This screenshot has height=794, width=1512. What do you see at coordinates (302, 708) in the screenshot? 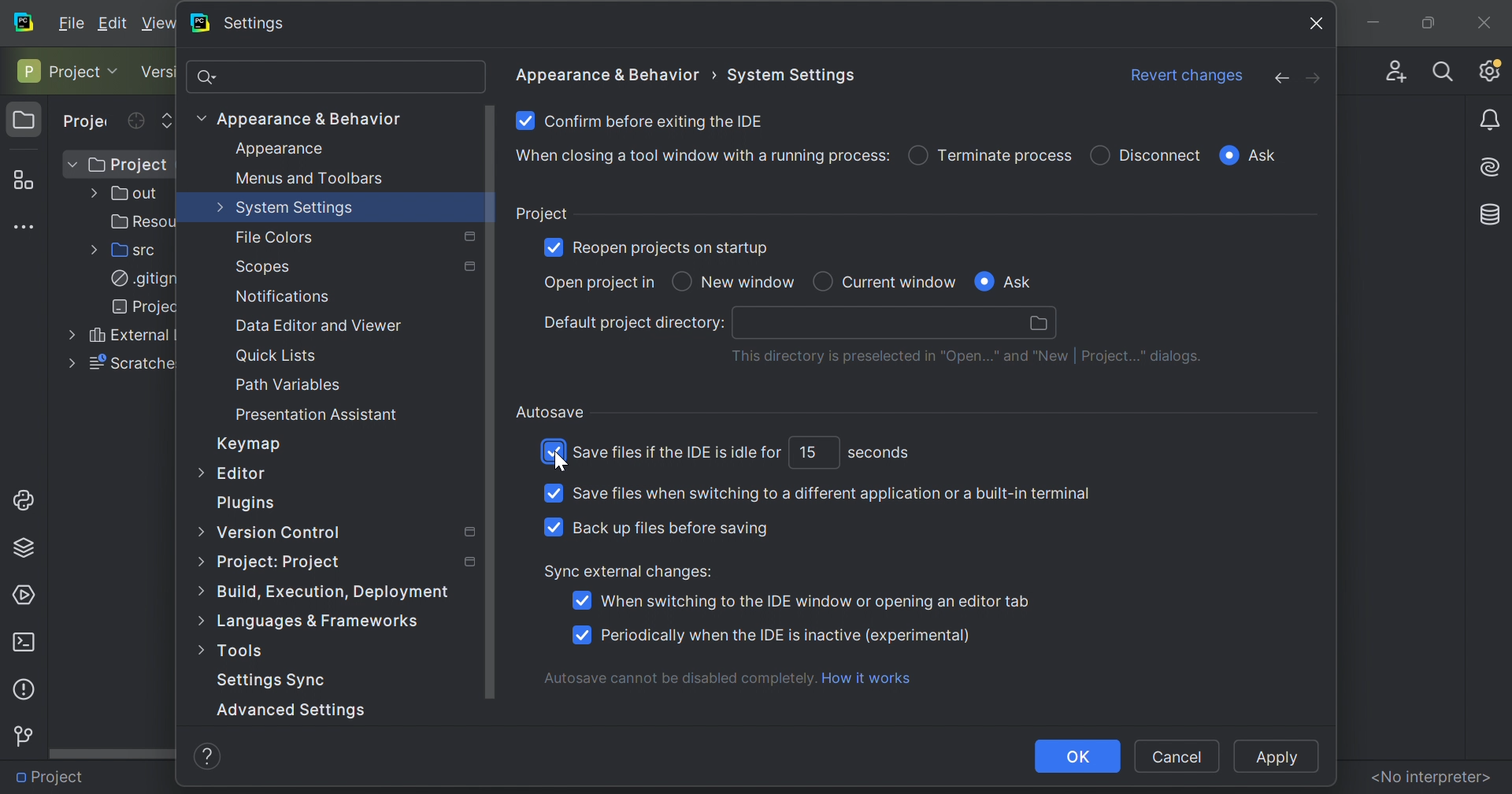
I see `Advanced Settings` at bounding box center [302, 708].